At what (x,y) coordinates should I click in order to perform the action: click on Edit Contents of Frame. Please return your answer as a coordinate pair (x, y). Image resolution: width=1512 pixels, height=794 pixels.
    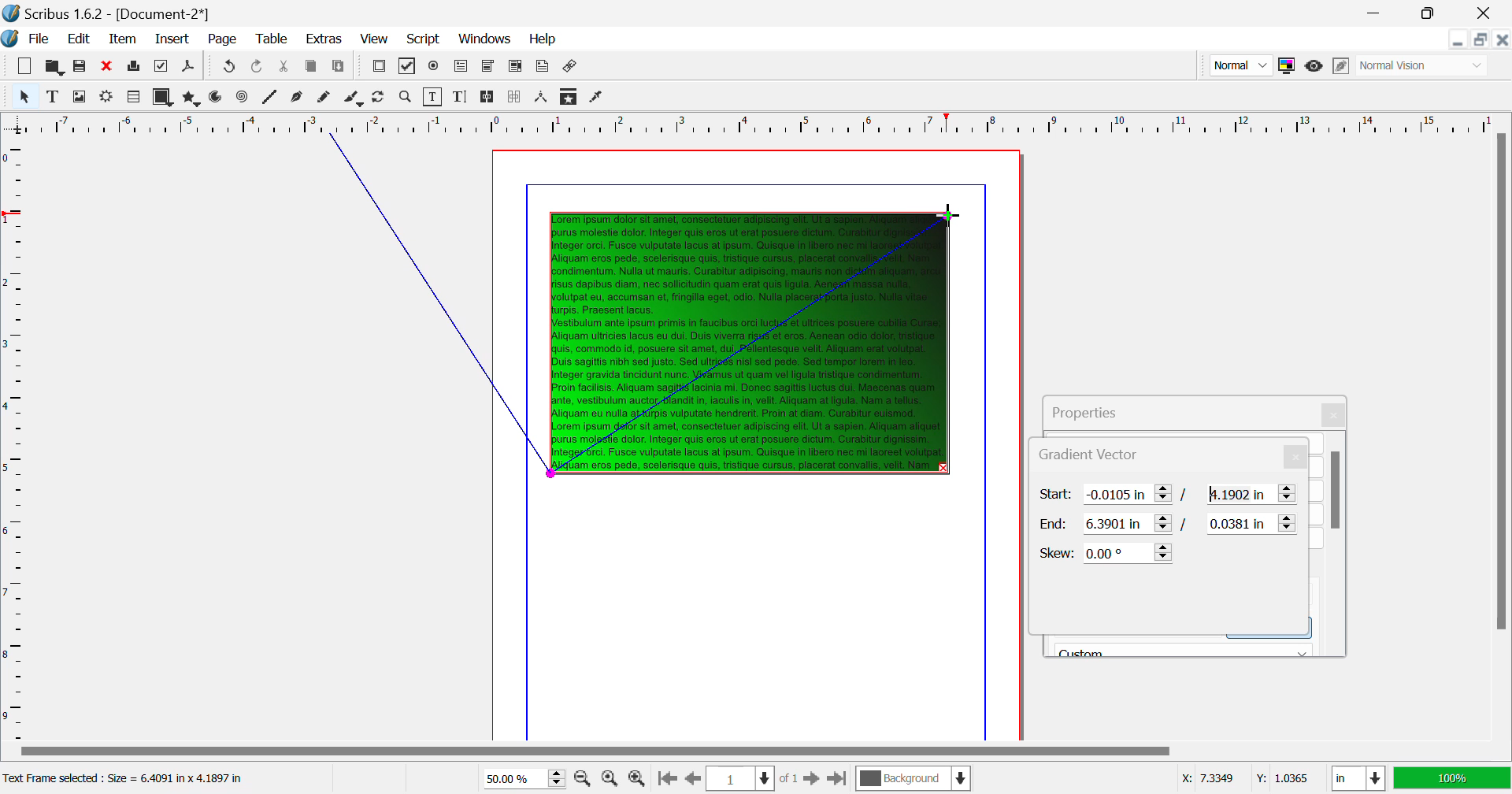
    Looking at the image, I should click on (434, 97).